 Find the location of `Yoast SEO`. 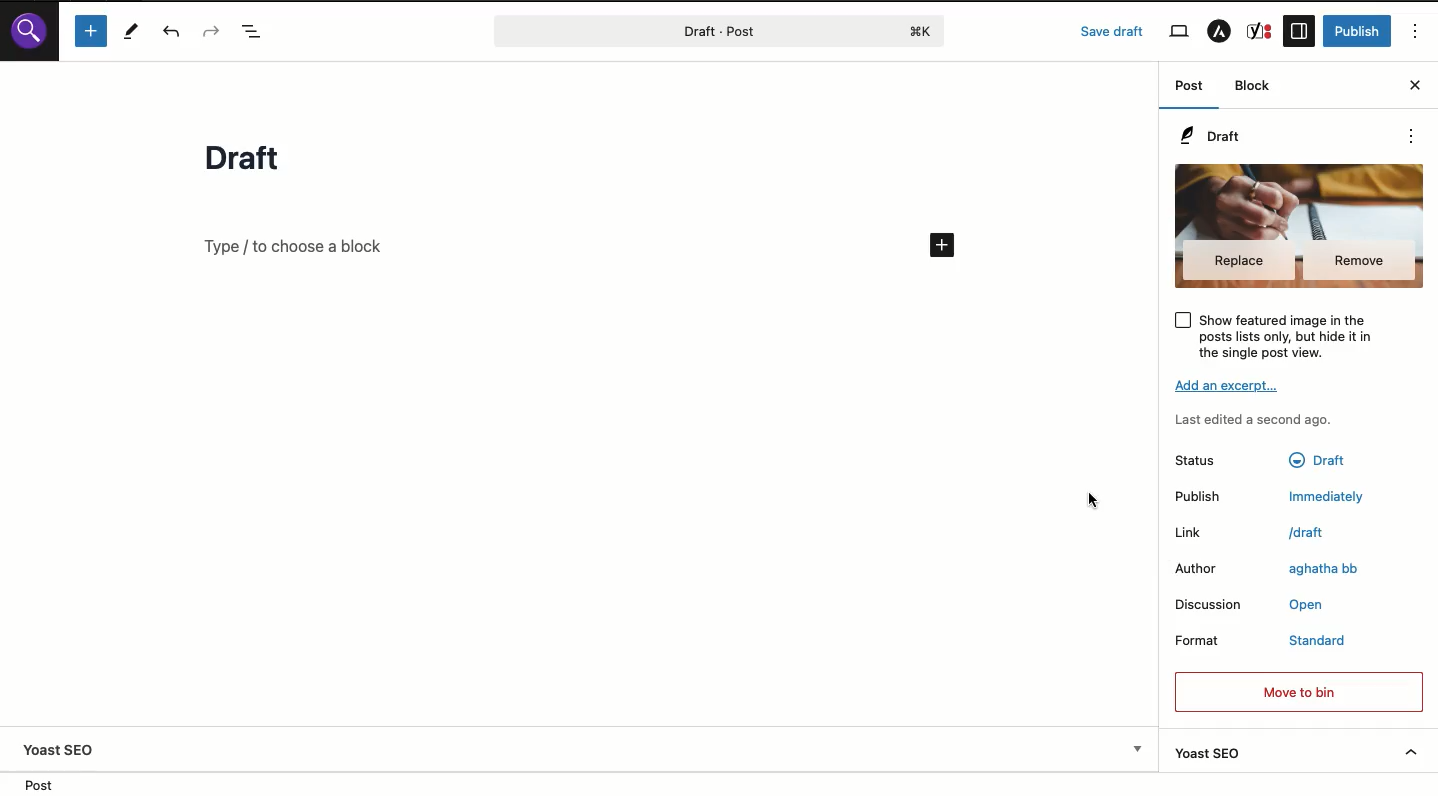

Yoast SEO is located at coordinates (1301, 752).